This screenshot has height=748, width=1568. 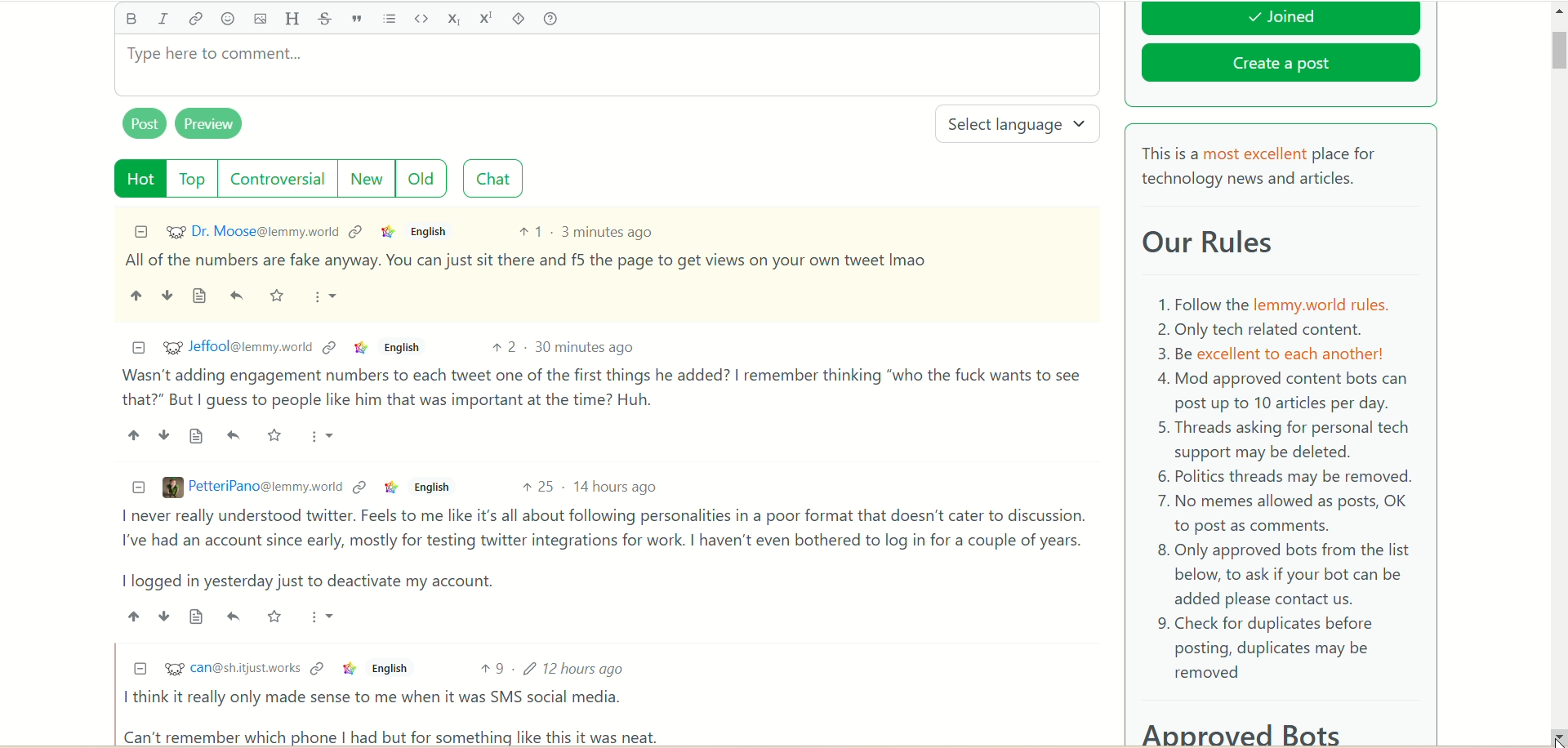 What do you see at coordinates (586, 346) in the screenshot?
I see `30 minutes ago` at bounding box center [586, 346].